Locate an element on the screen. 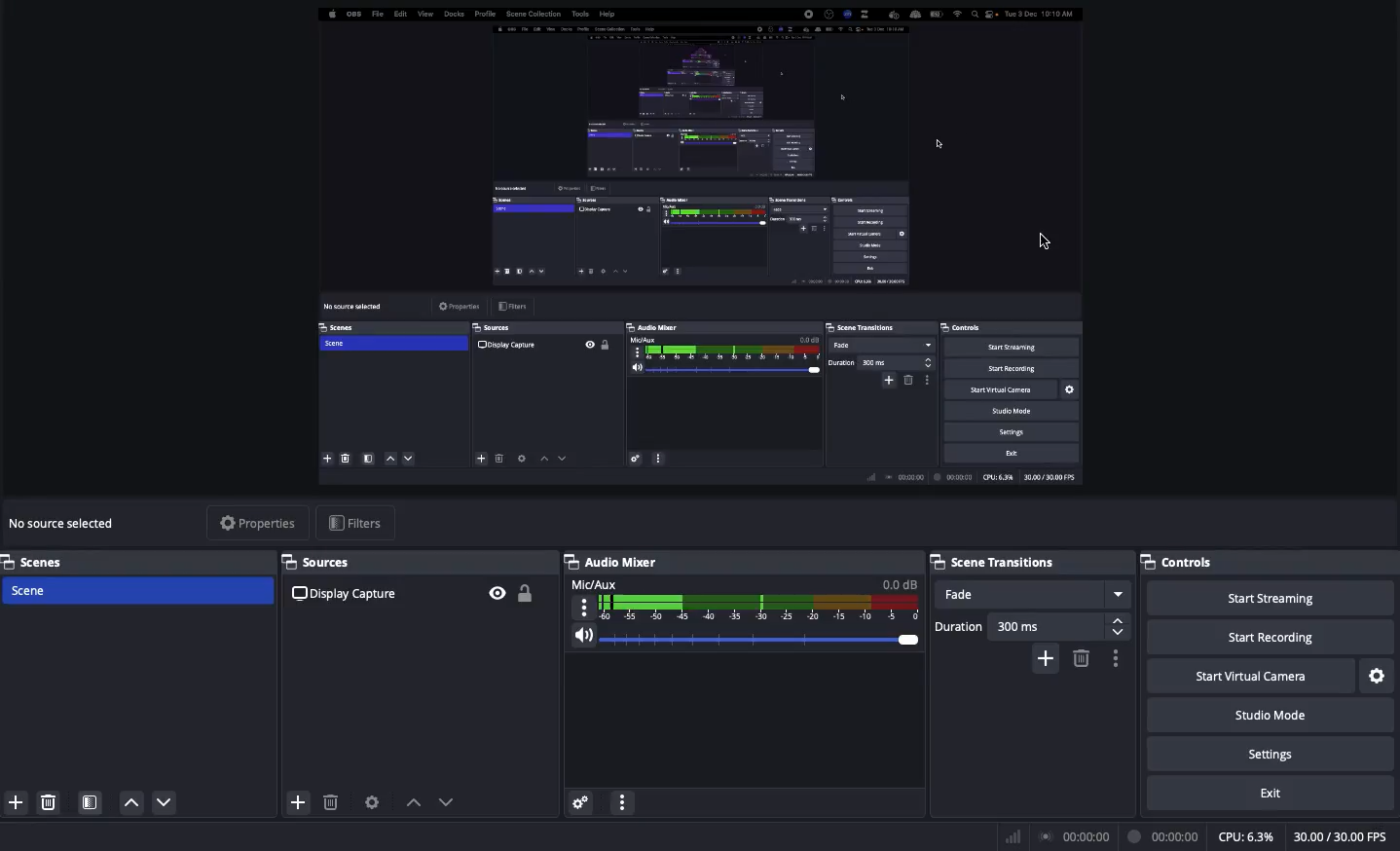  Display capture is located at coordinates (348, 593).